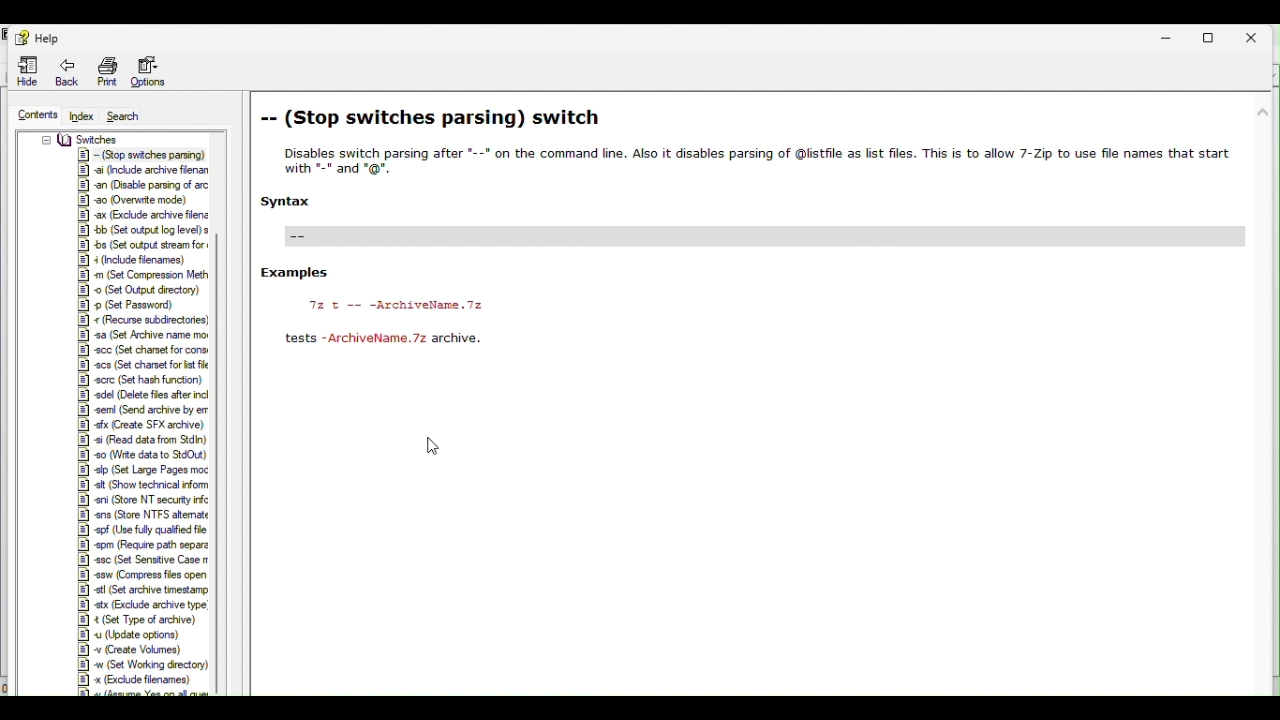 The height and width of the screenshot is (720, 1280). Describe the element at coordinates (81, 117) in the screenshot. I see `Index` at that location.